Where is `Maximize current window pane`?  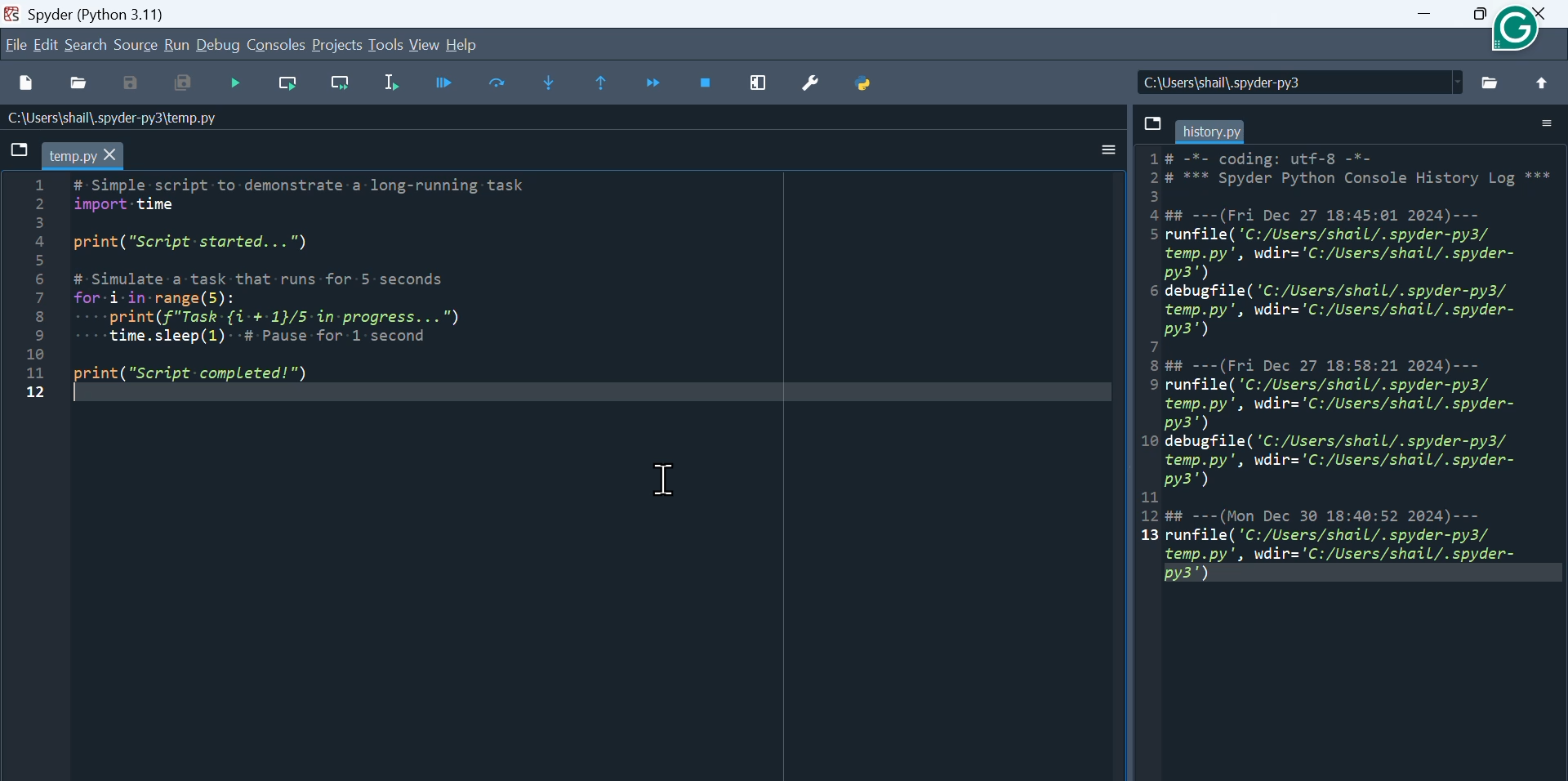 Maximize current window pane is located at coordinates (764, 83).